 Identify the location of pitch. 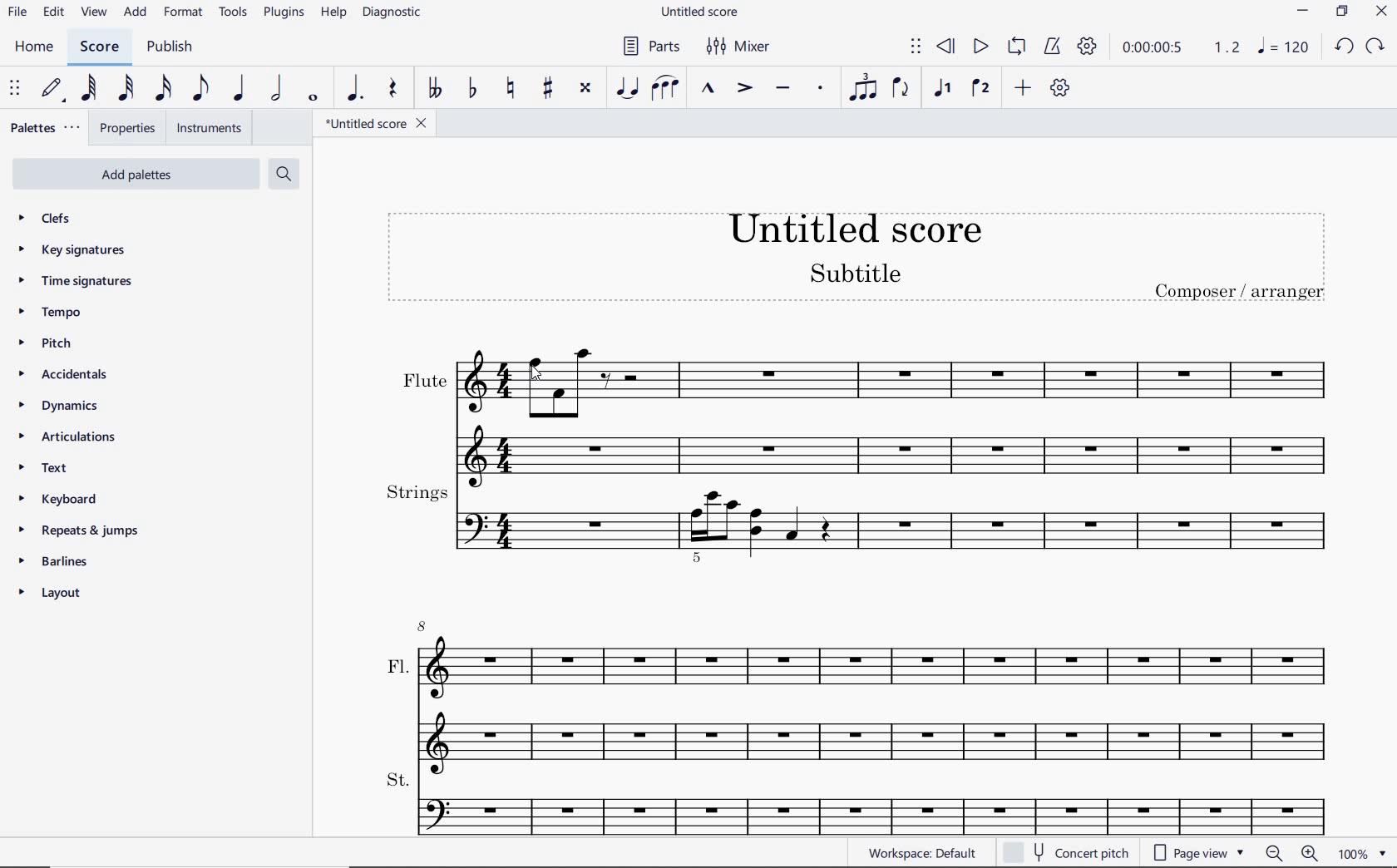
(48, 345).